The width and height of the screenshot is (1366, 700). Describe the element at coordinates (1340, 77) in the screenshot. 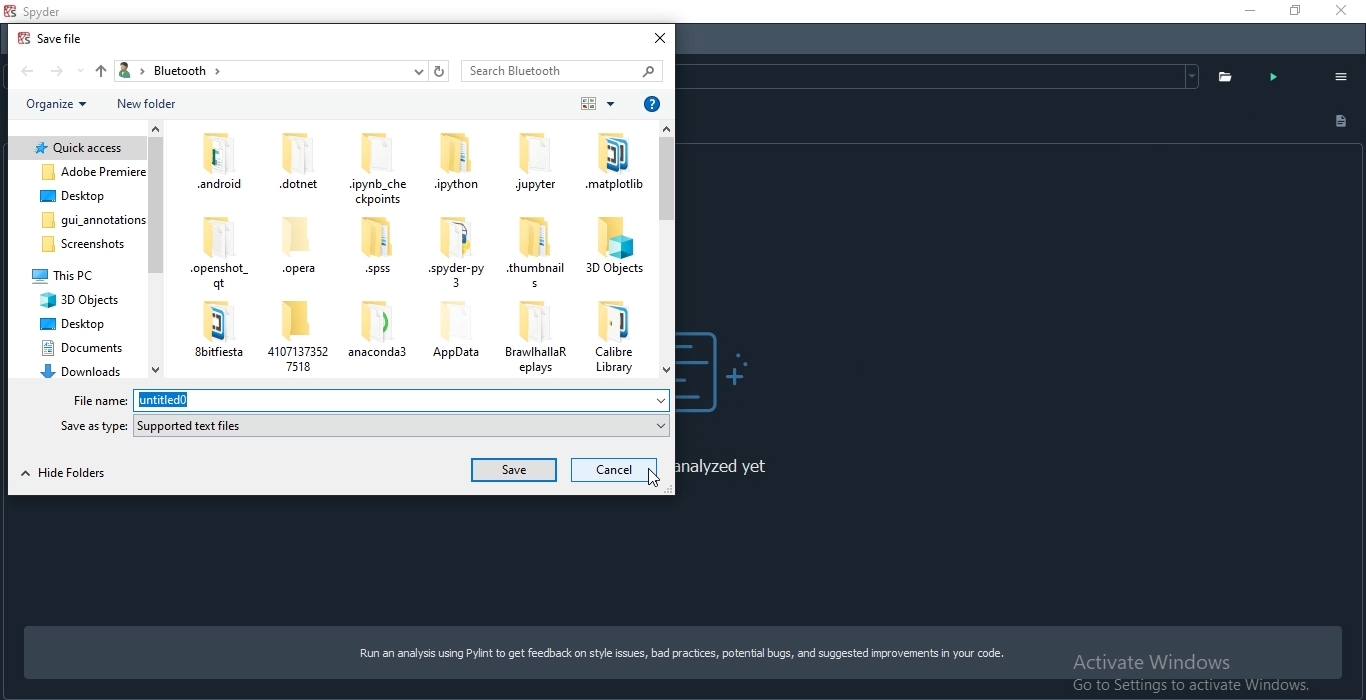

I see `options` at that location.